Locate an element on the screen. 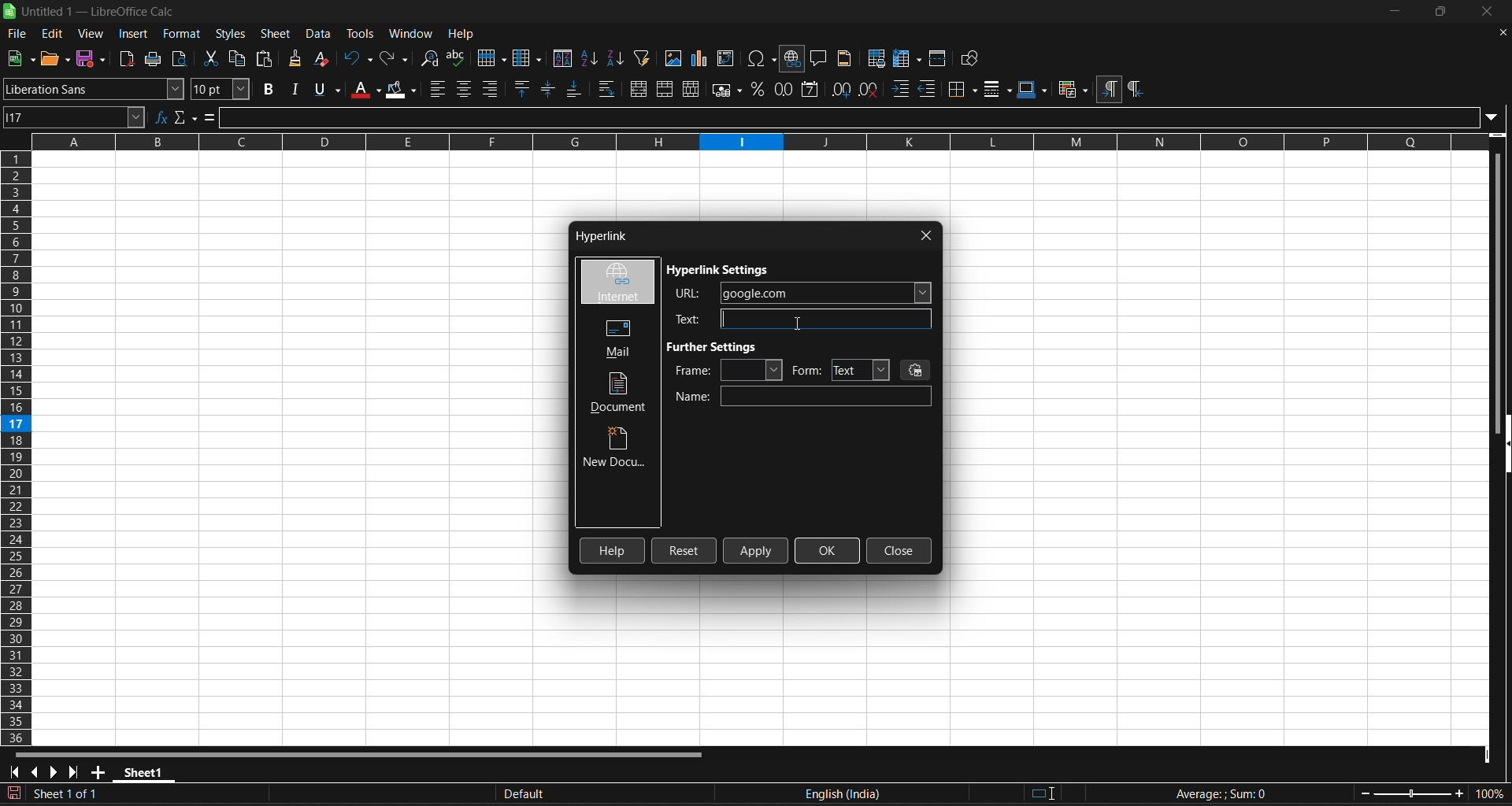 Image resolution: width=1512 pixels, height=806 pixels. cursor is located at coordinates (797, 322).